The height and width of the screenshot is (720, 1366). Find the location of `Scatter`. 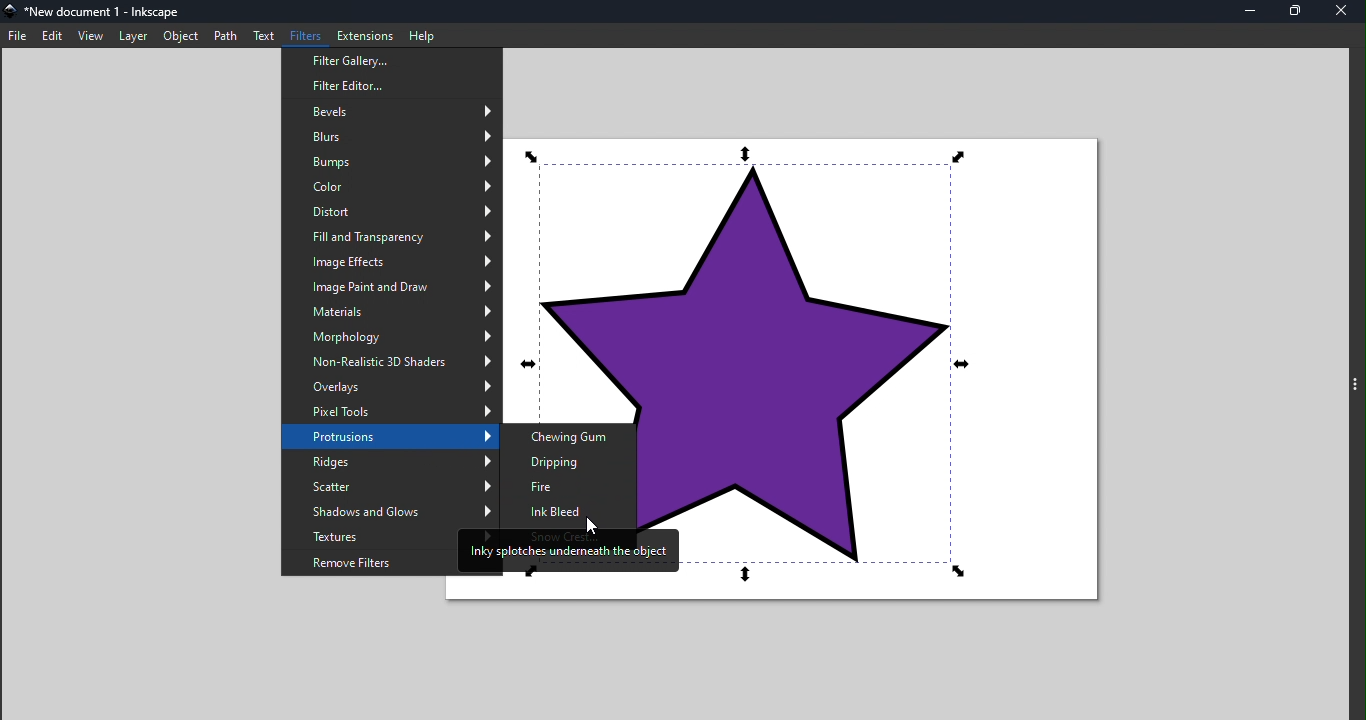

Scatter is located at coordinates (389, 486).